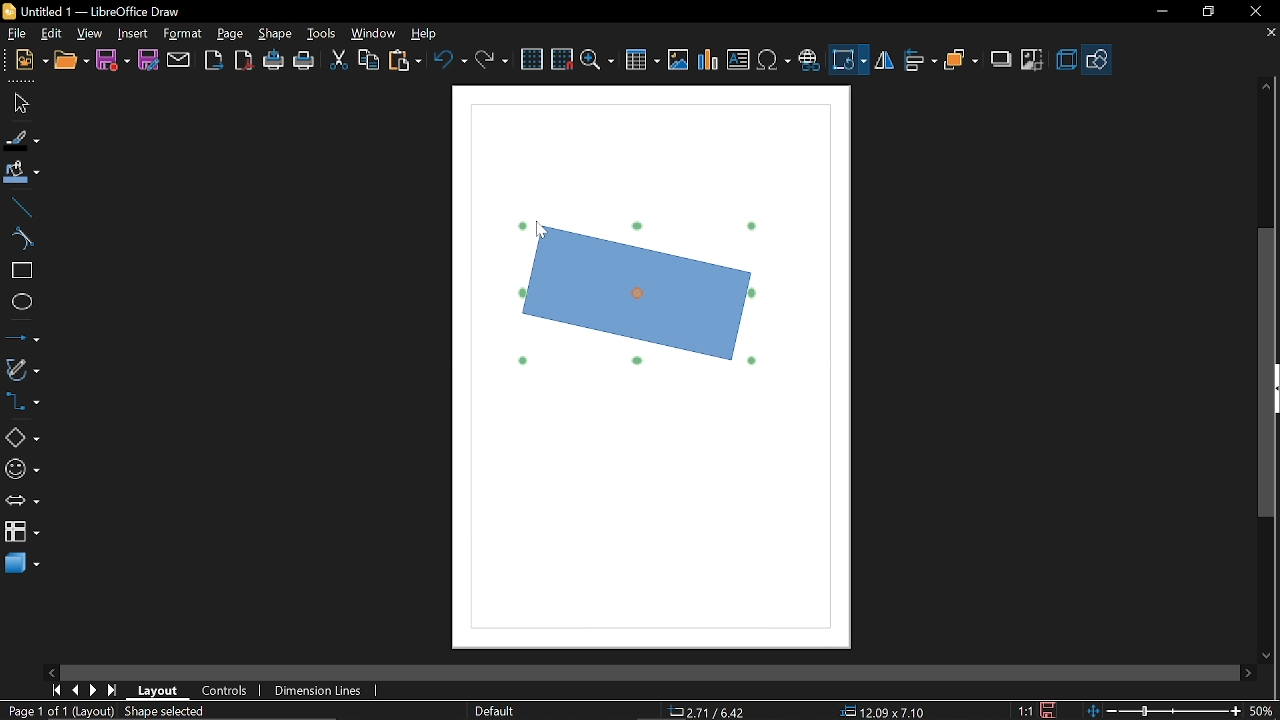 This screenshot has height=720, width=1280. Describe the element at coordinates (22, 564) in the screenshot. I see `3d shapes` at that location.